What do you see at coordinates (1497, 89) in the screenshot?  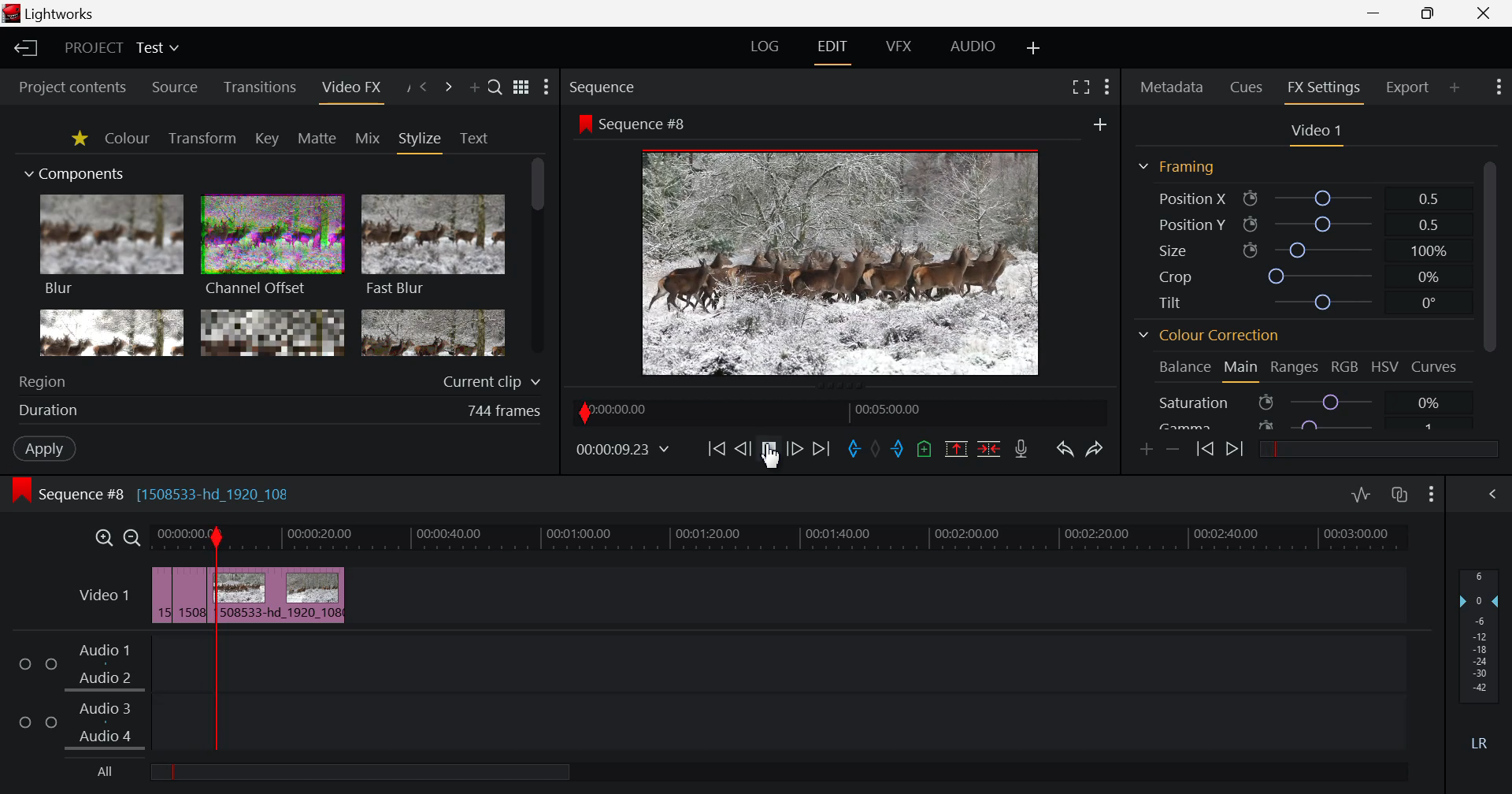 I see `Show Settings` at bounding box center [1497, 89].